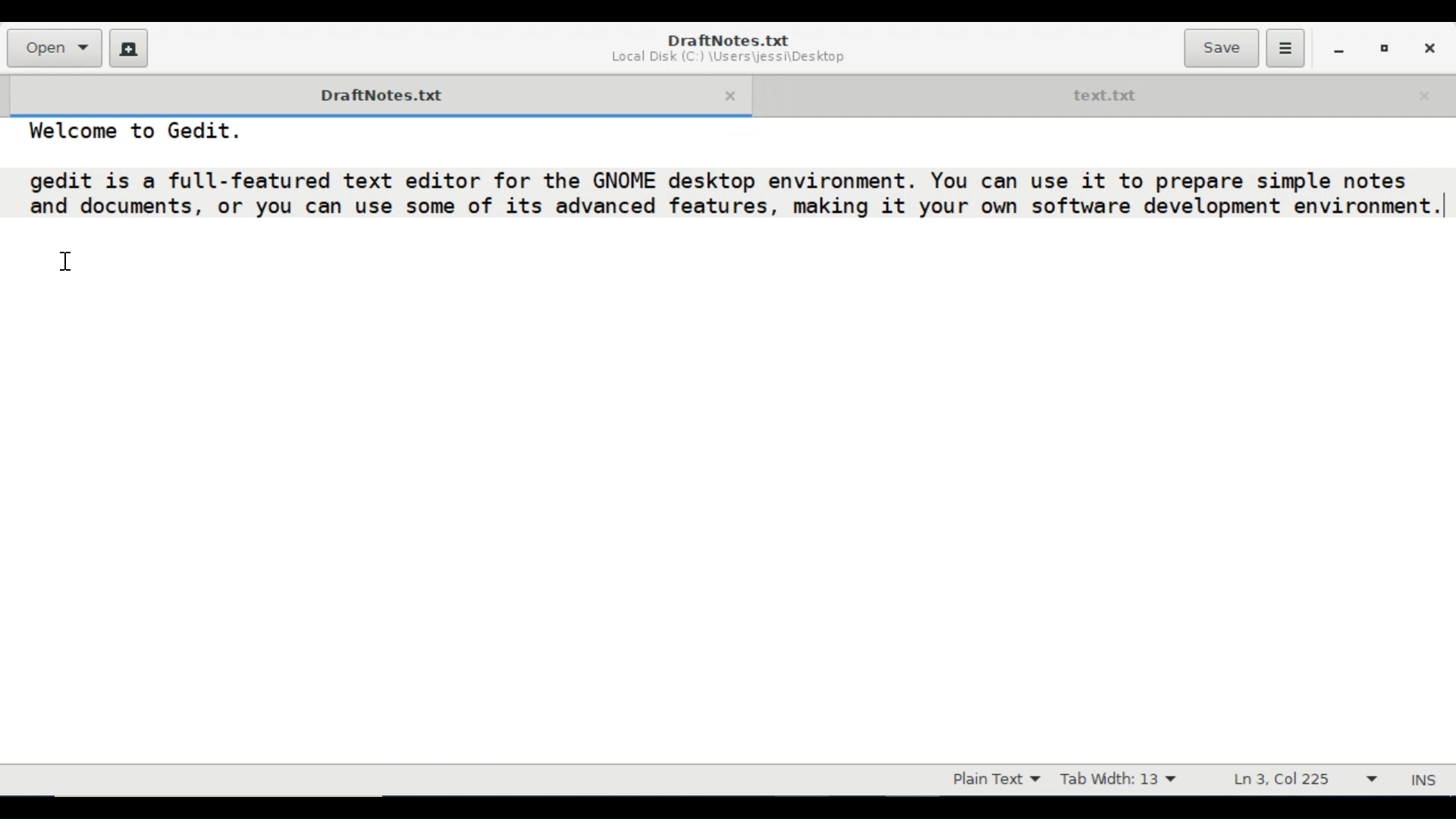 The height and width of the screenshot is (819, 1456). Describe the element at coordinates (372, 93) in the screenshot. I see `Current Tab` at that location.